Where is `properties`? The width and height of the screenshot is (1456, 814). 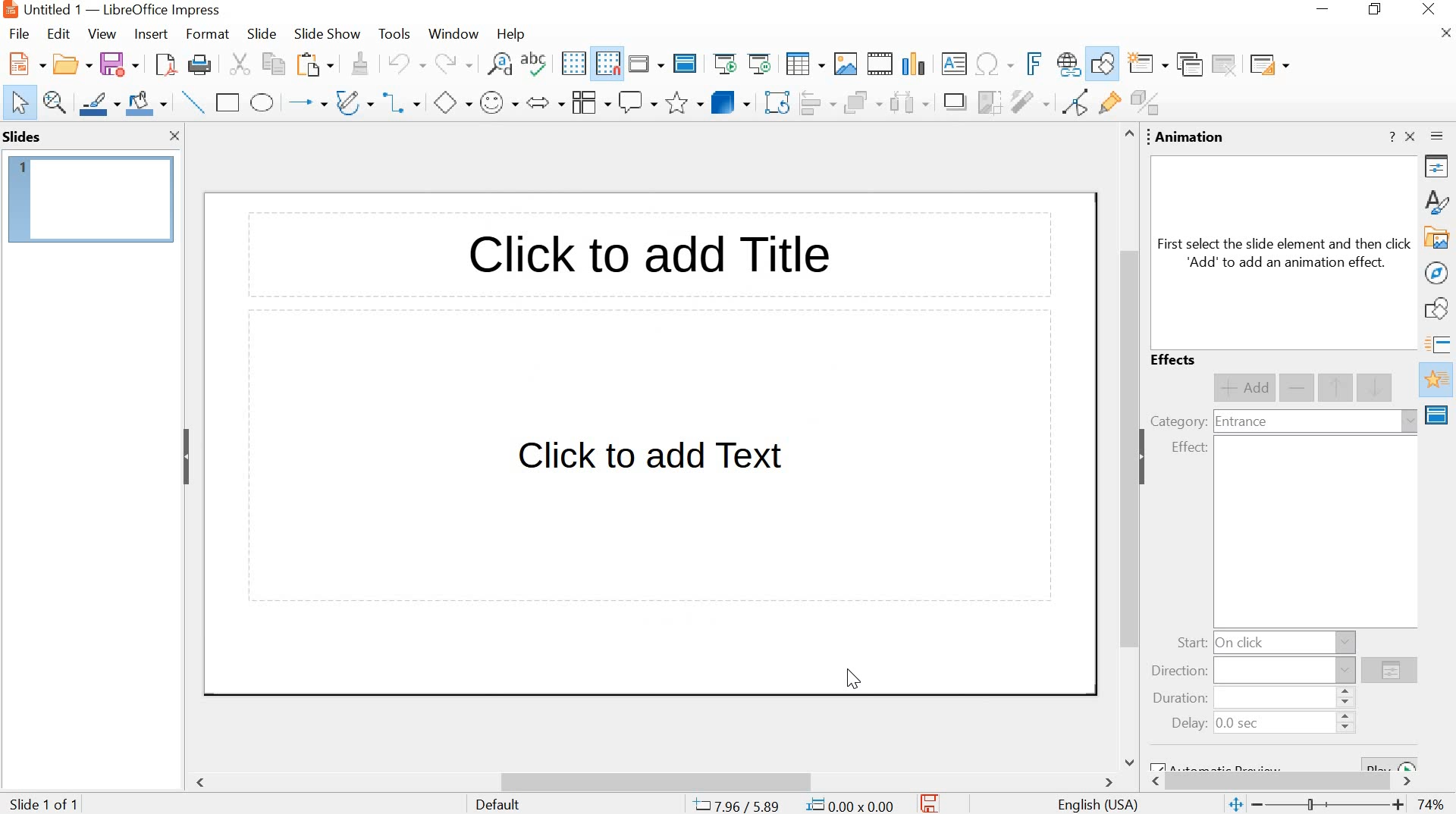
properties is located at coordinates (1439, 169).